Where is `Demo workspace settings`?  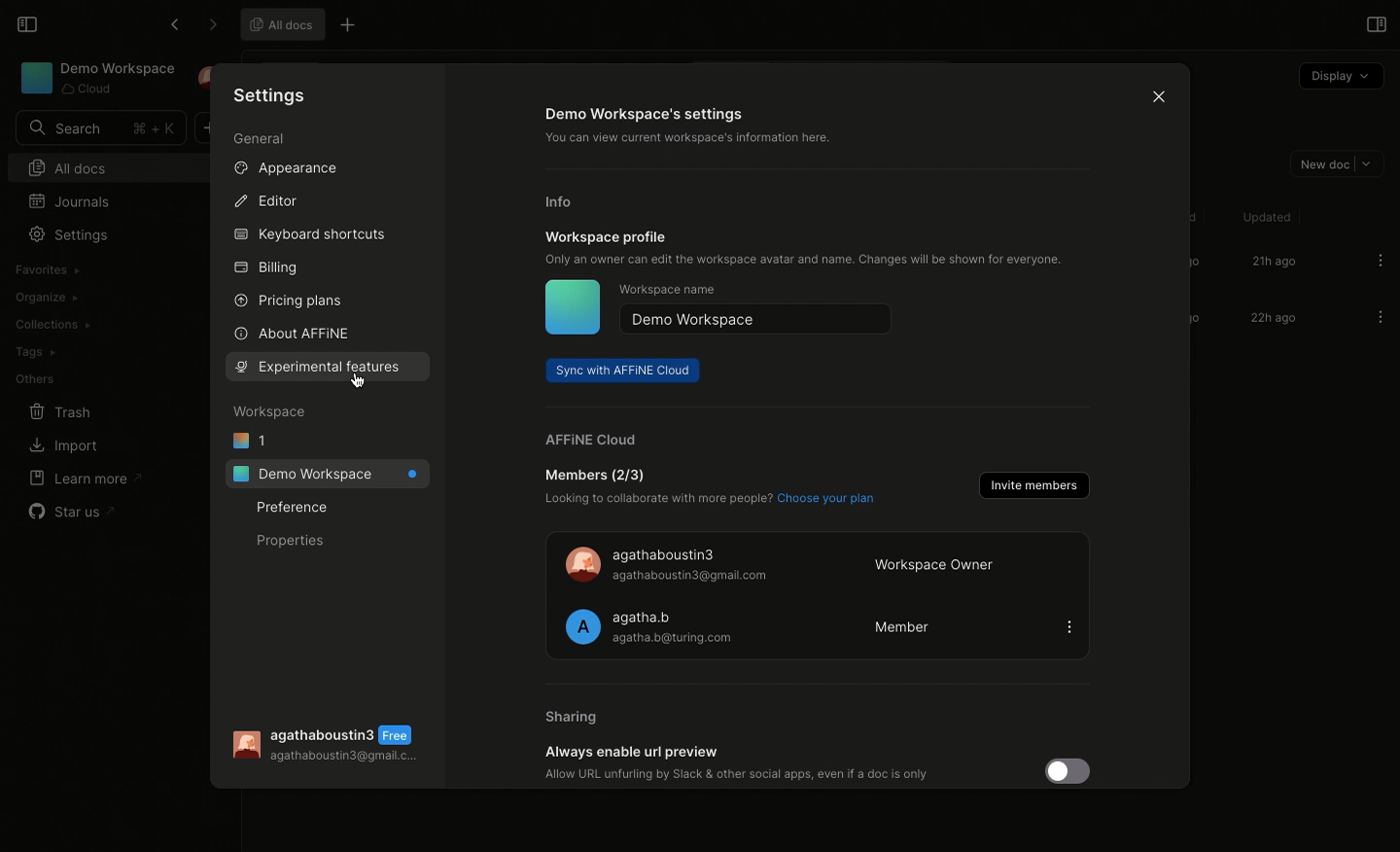 Demo workspace settings is located at coordinates (703, 126).